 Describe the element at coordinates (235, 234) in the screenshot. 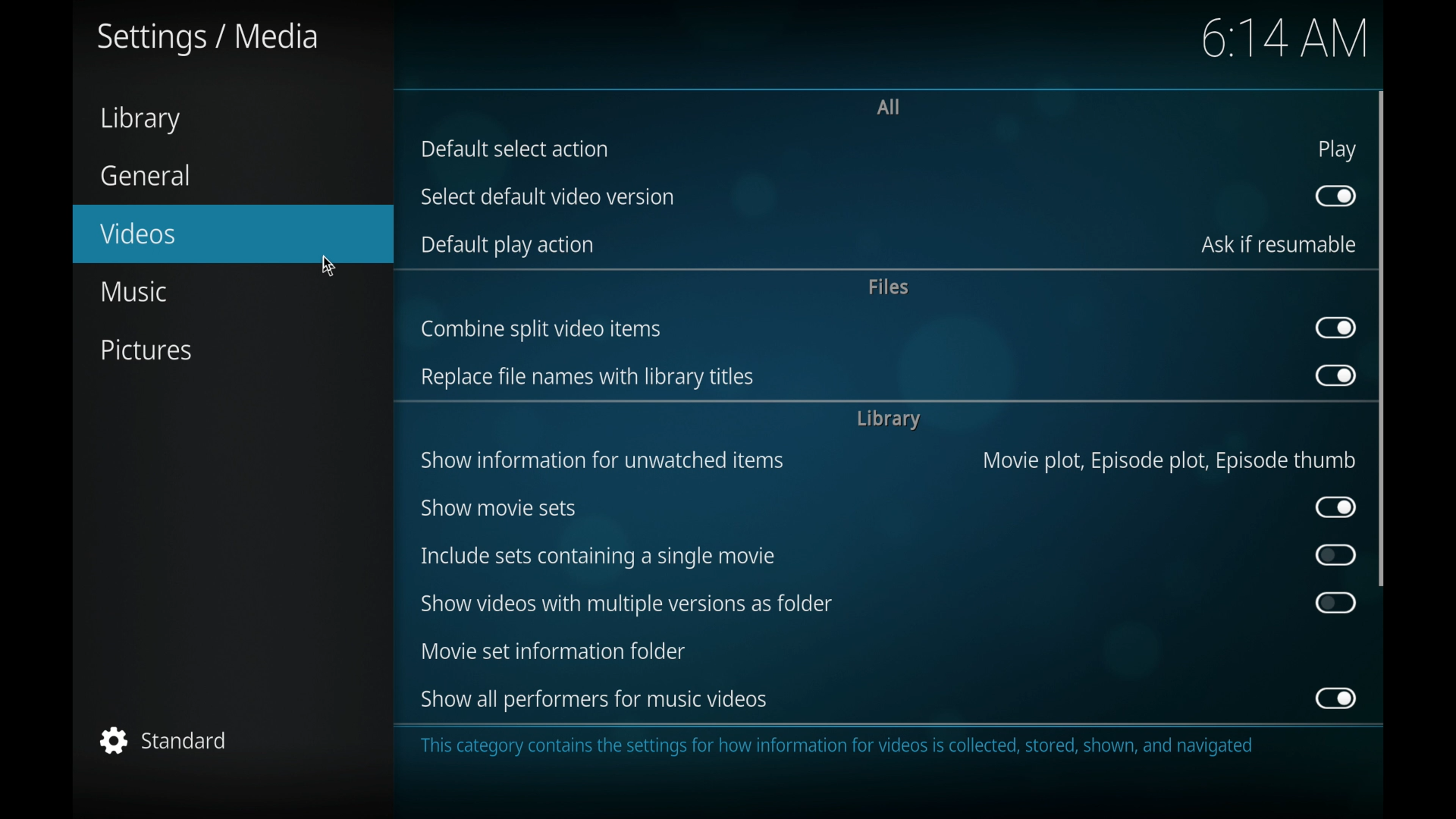

I see `videos` at that location.